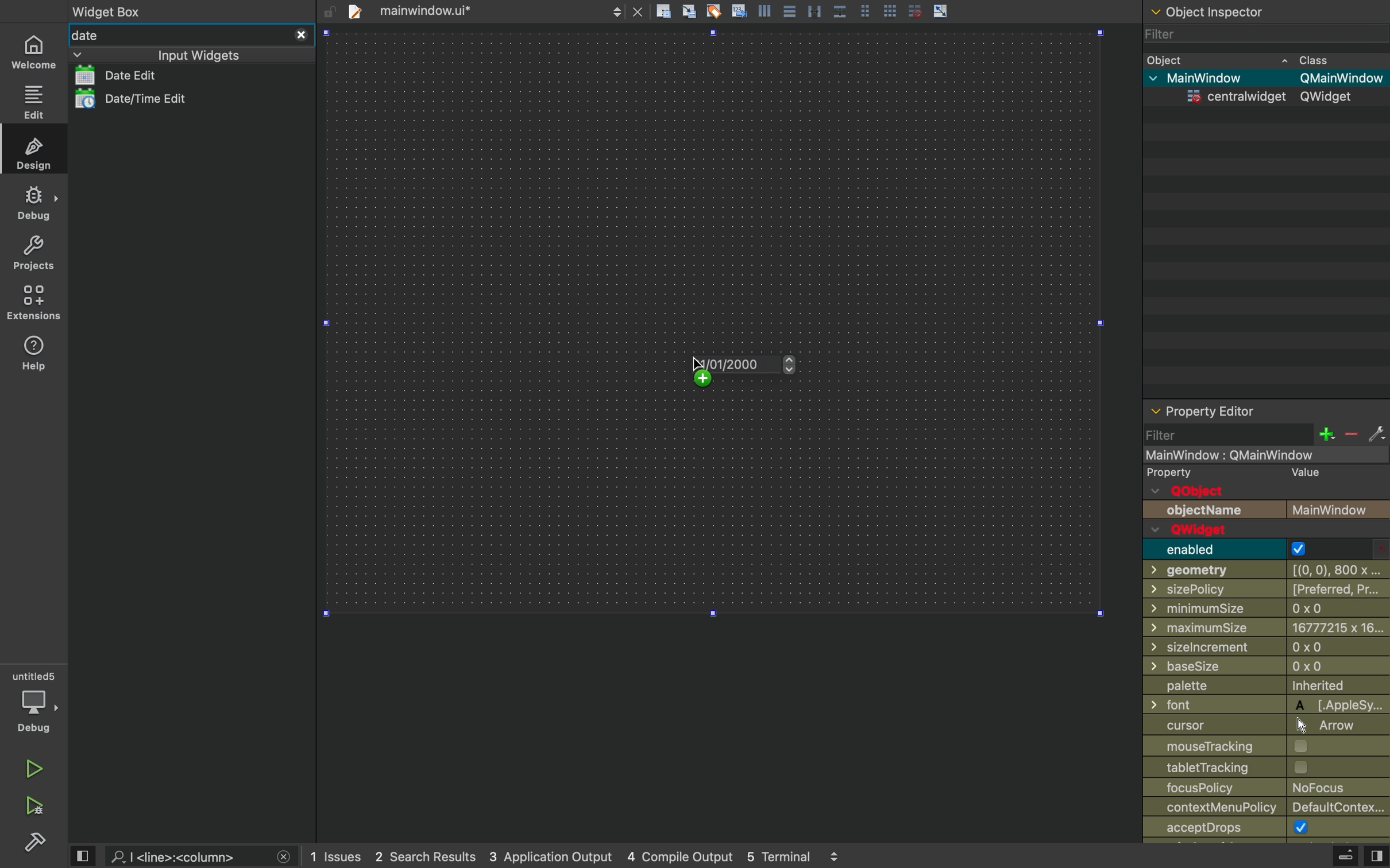 This screenshot has width=1390, height=868. What do you see at coordinates (749, 365) in the screenshot?
I see `on key up` at bounding box center [749, 365].